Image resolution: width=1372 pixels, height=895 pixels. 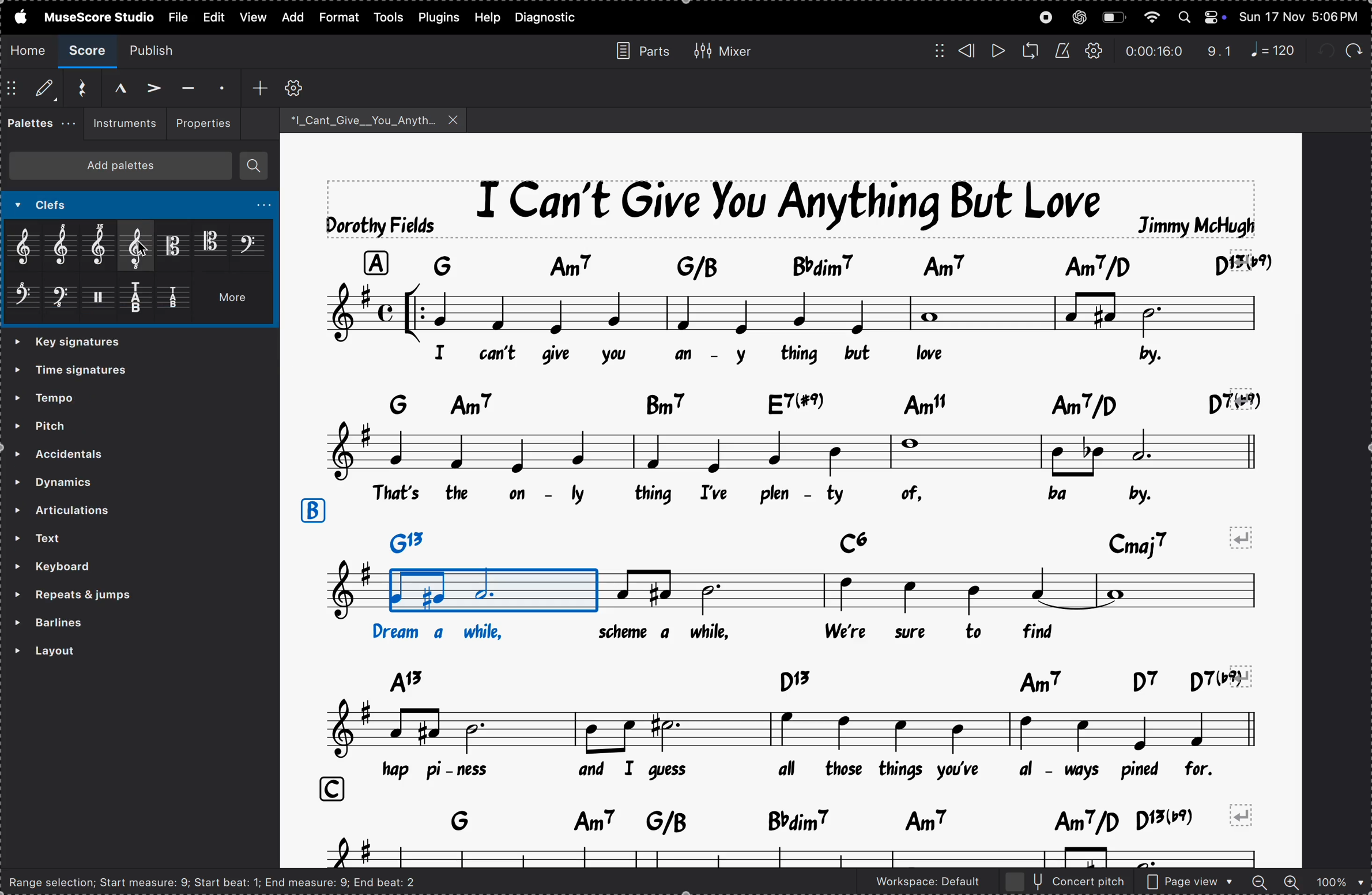 What do you see at coordinates (89, 51) in the screenshot?
I see `score` at bounding box center [89, 51].